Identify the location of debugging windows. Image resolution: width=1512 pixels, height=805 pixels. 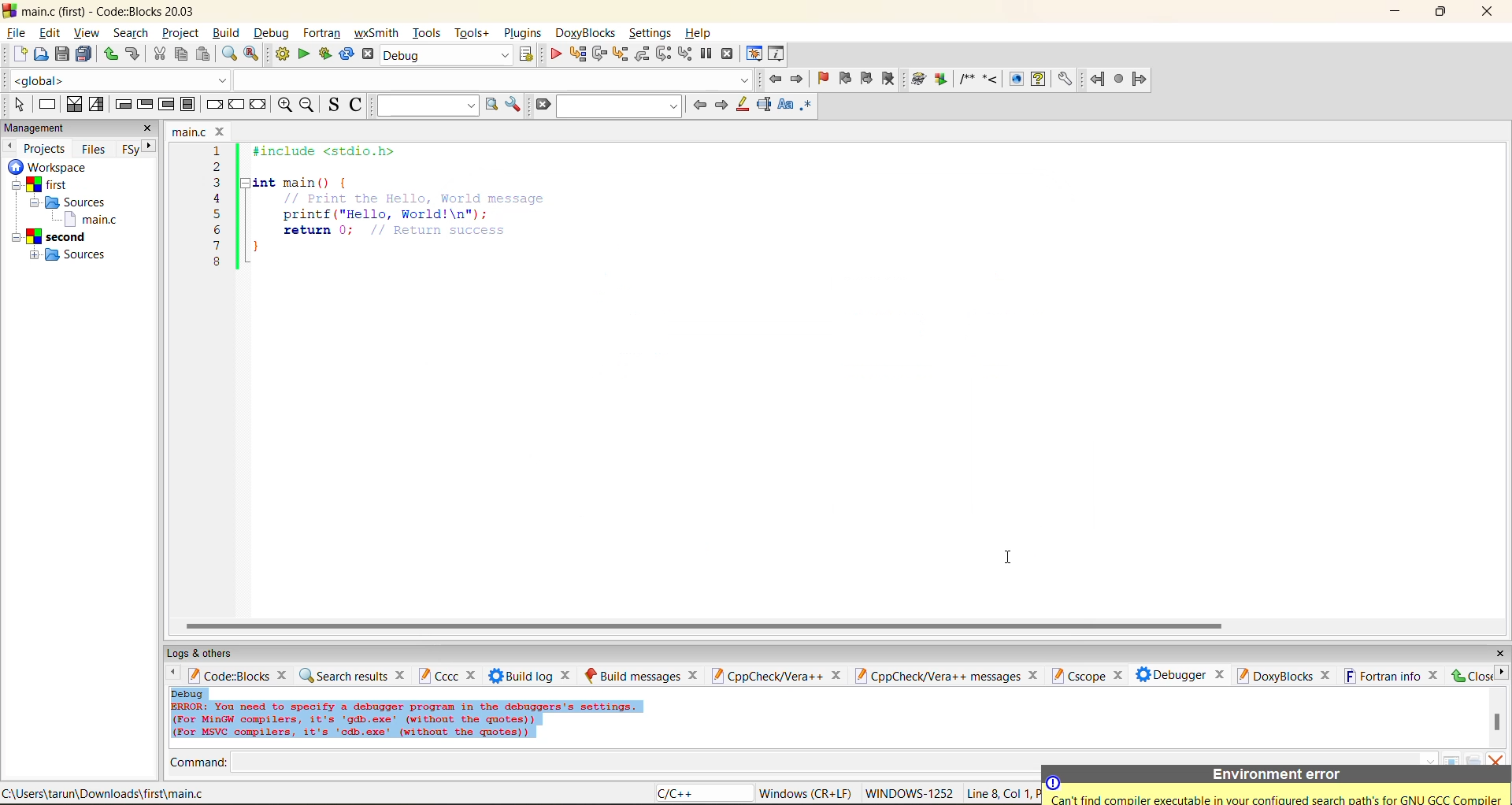
(754, 55).